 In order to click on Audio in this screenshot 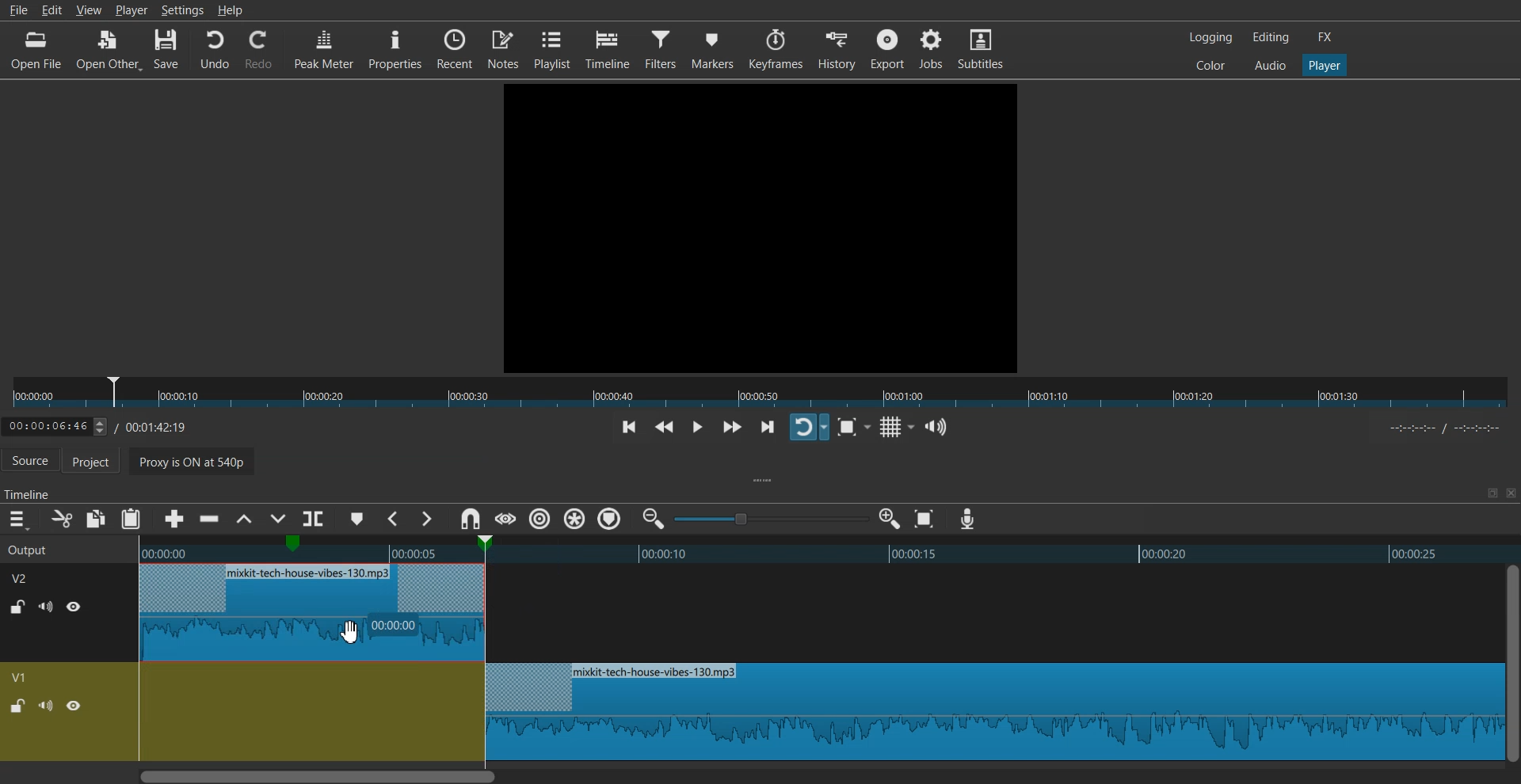, I will do `click(1270, 64)`.